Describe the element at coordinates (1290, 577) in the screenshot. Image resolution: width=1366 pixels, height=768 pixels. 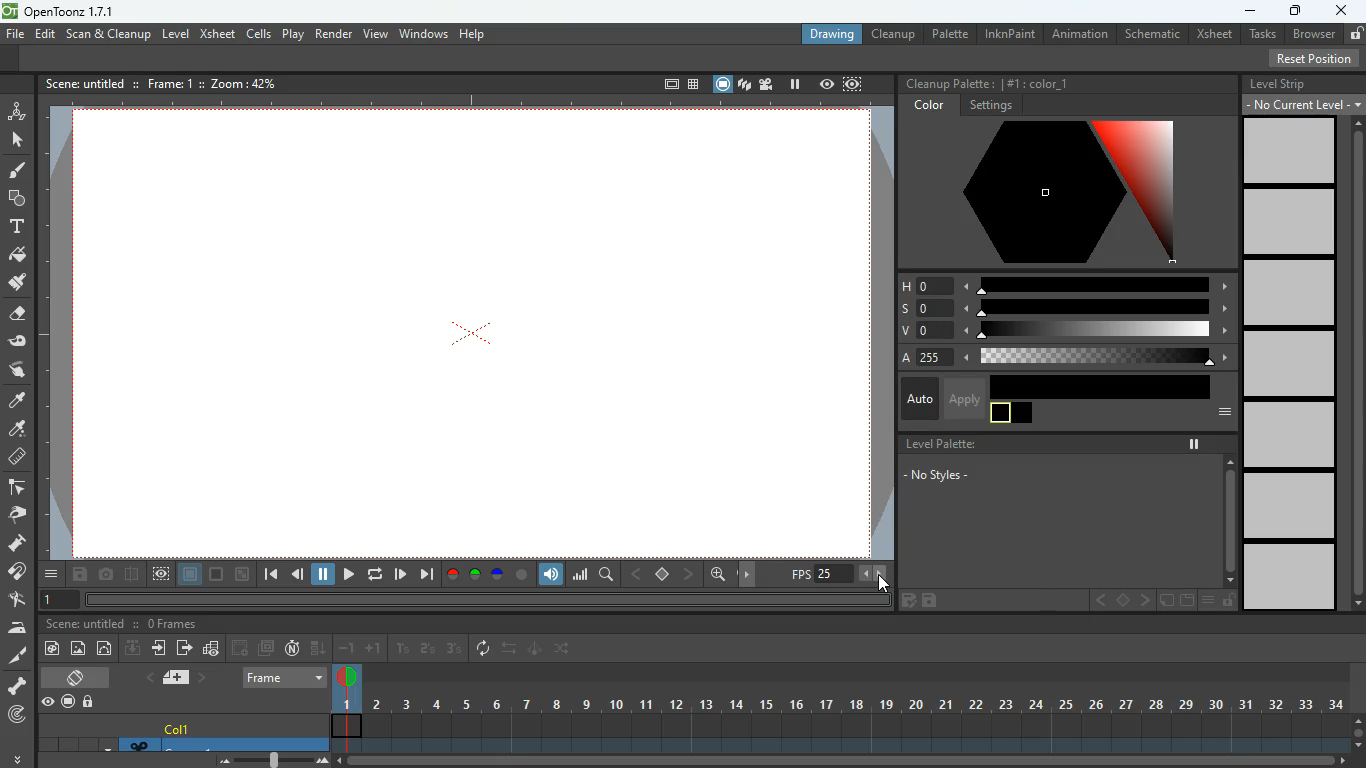
I see `level` at that location.